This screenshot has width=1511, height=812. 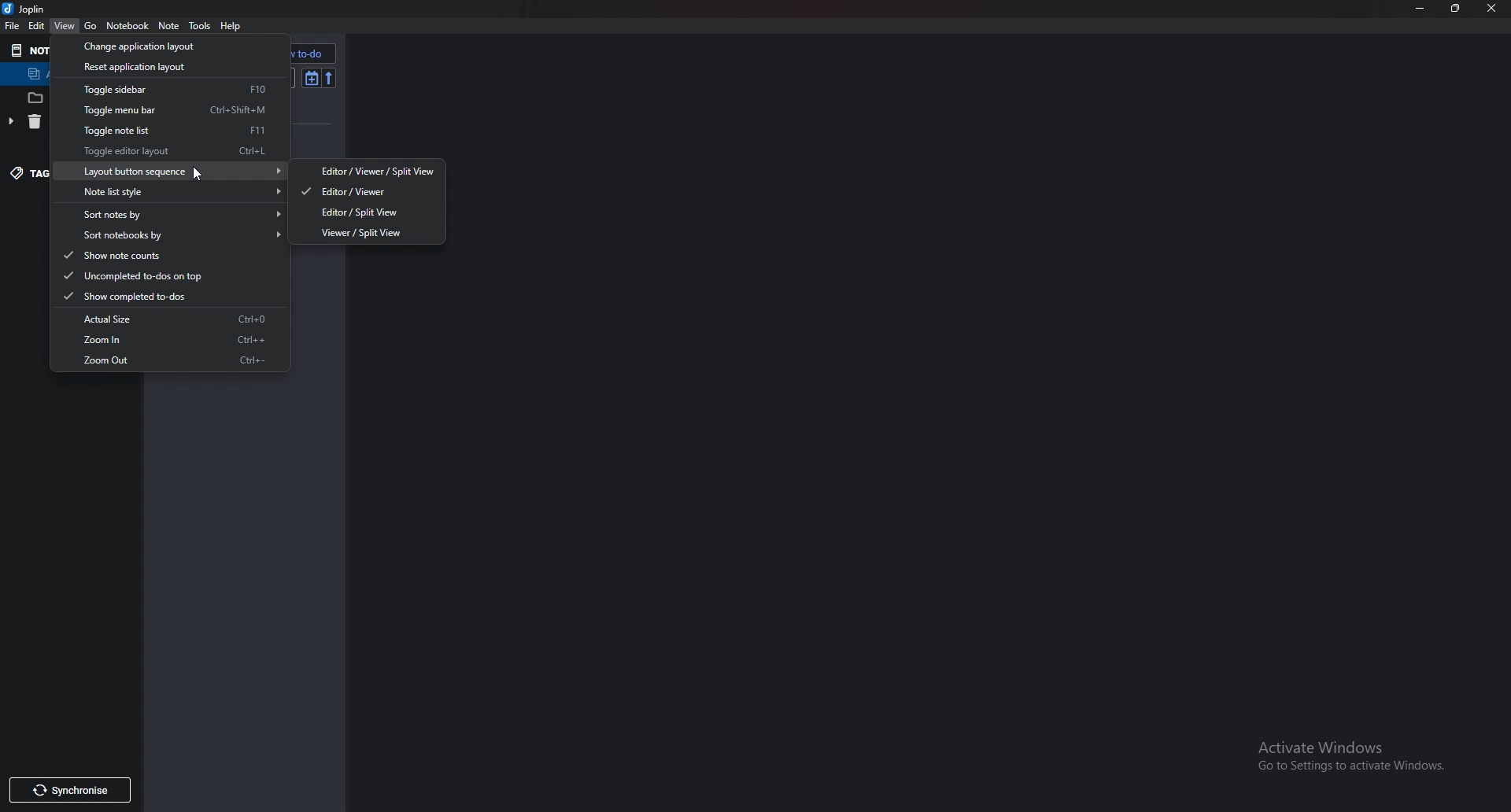 I want to click on show note counts, so click(x=160, y=257).